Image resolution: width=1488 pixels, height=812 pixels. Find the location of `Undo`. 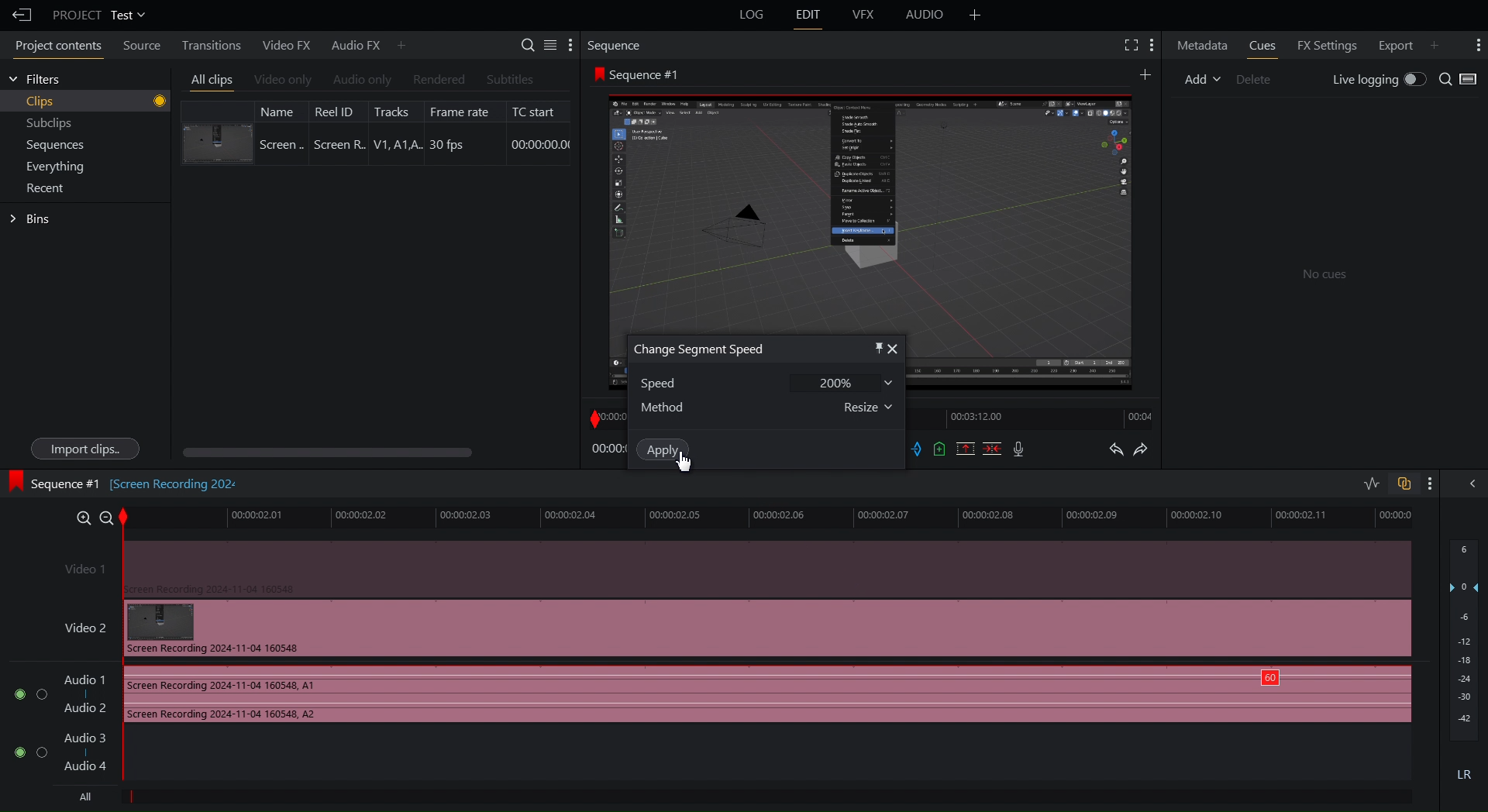

Undo is located at coordinates (1115, 451).